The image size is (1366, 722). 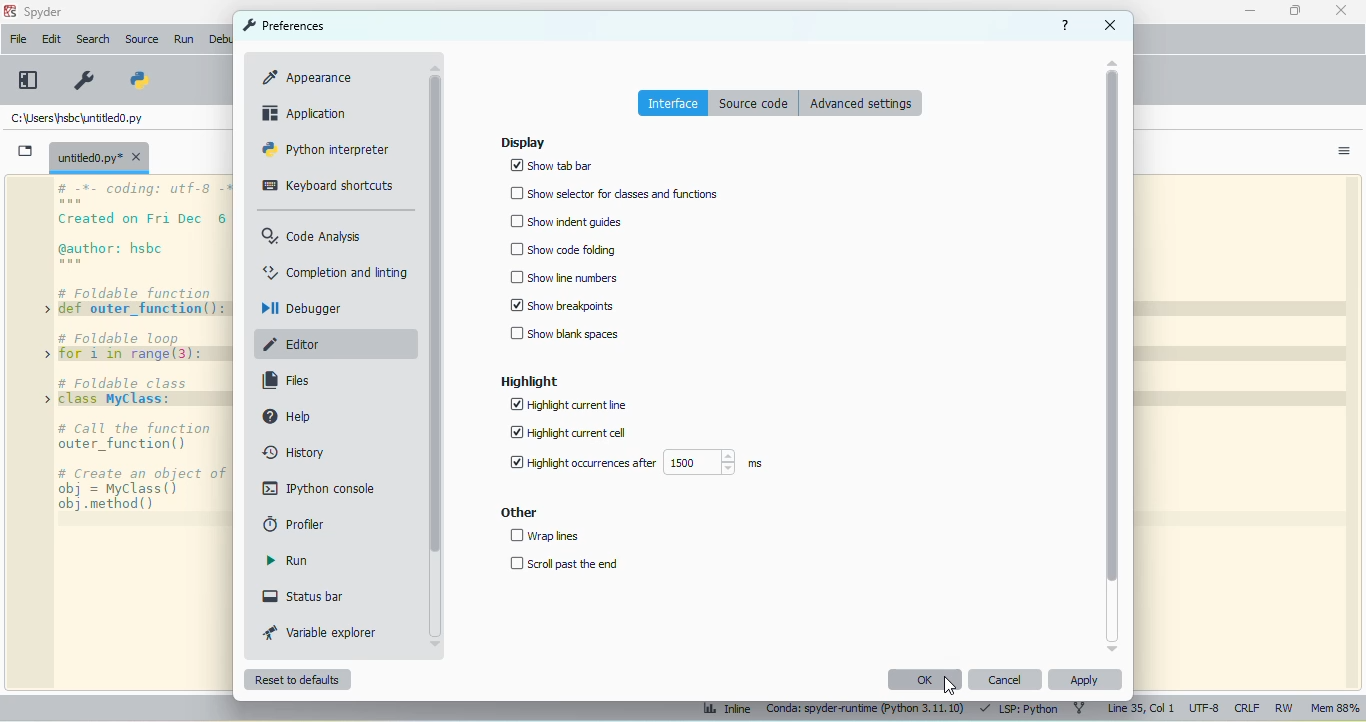 I want to click on show indent guides, so click(x=565, y=221).